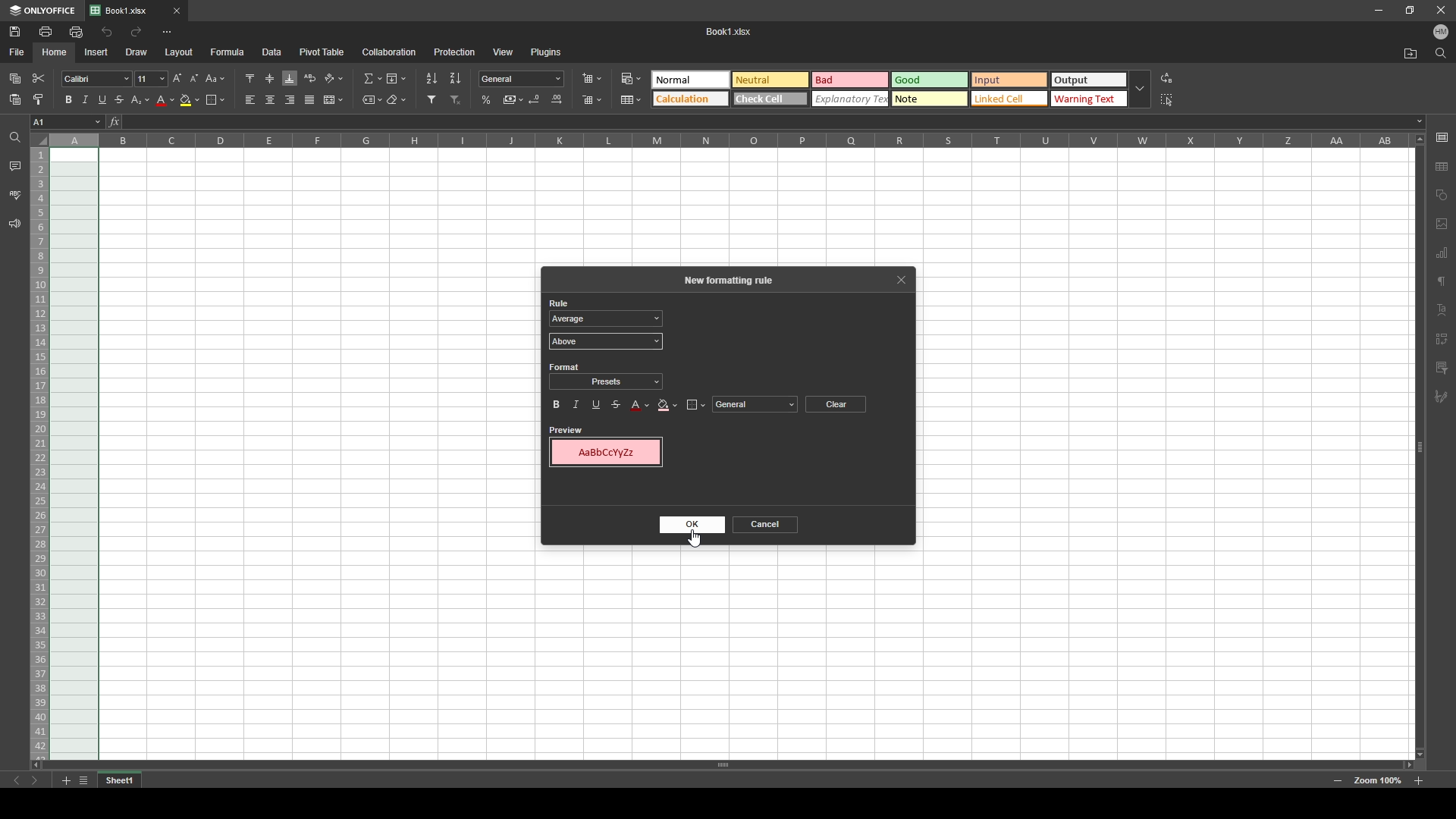  What do you see at coordinates (1441, 397) in the screenshot?
I see `pen tool` at bounding box center [1441, 397].